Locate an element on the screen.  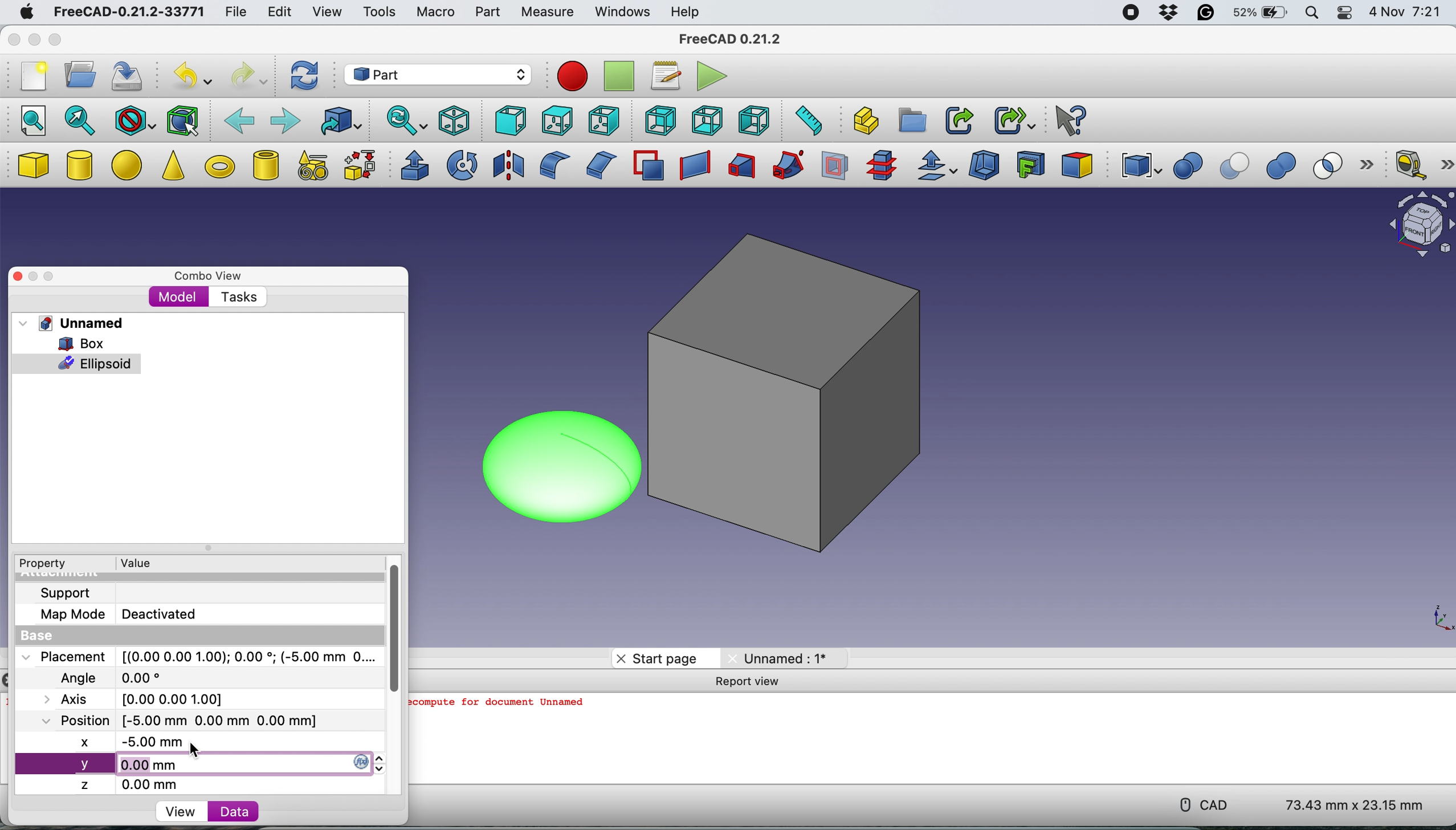
macro is located at coordinates (435, 13).